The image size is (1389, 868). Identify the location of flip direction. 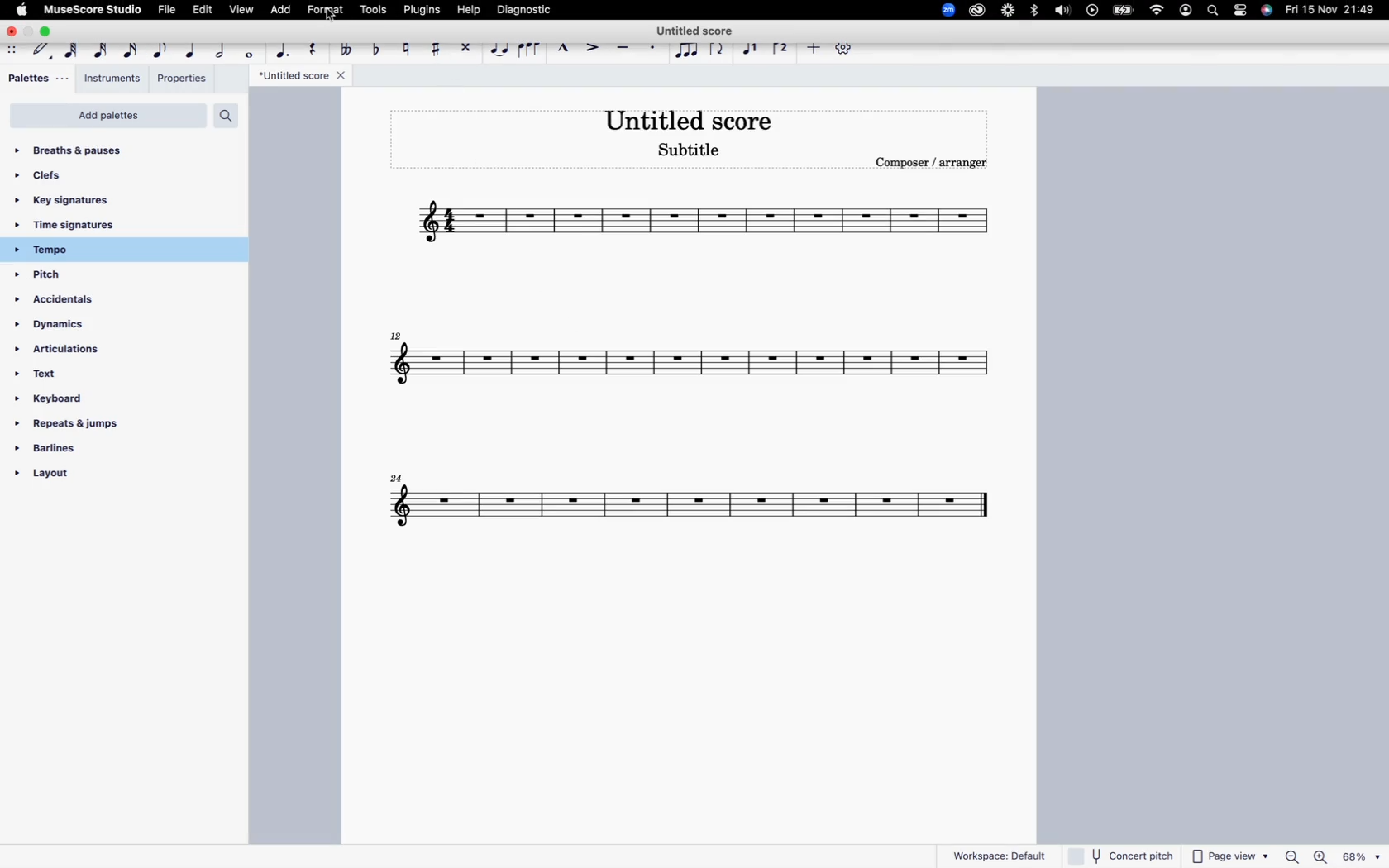
(718, 48).